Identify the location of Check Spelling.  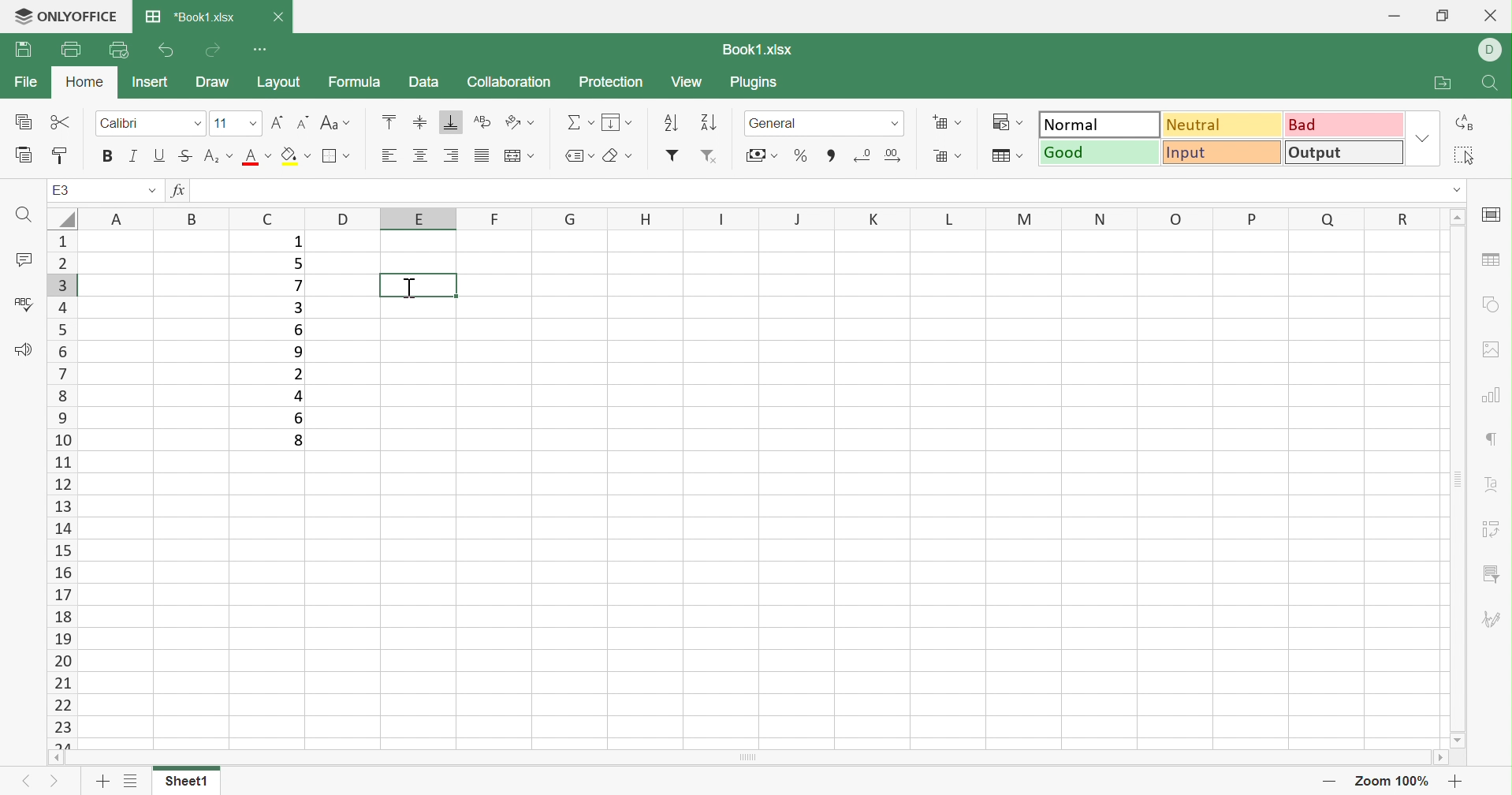
(23, 303).